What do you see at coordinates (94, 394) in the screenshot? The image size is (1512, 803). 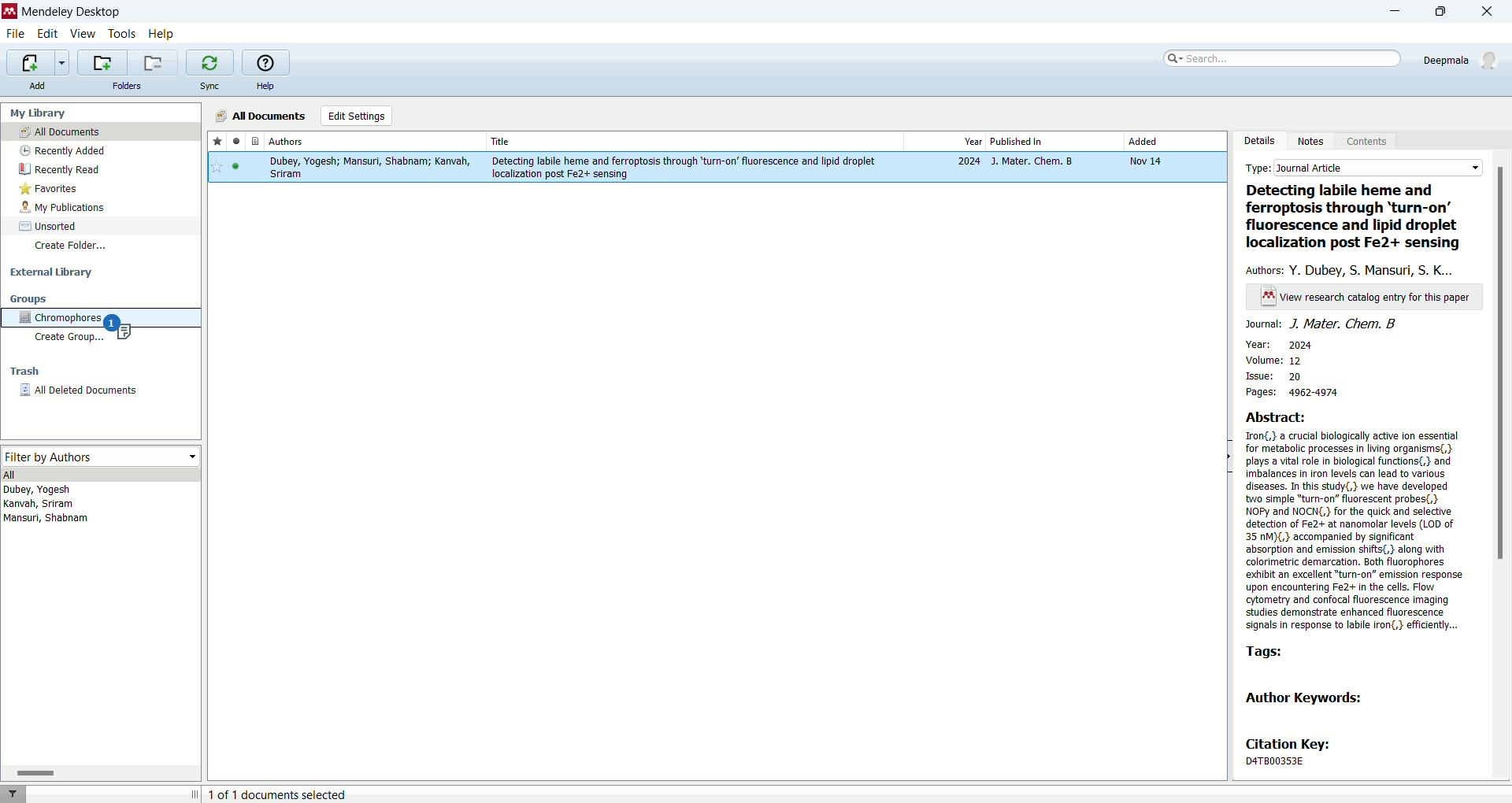 I see `all deleted documents` at bounding box center [94, 394].